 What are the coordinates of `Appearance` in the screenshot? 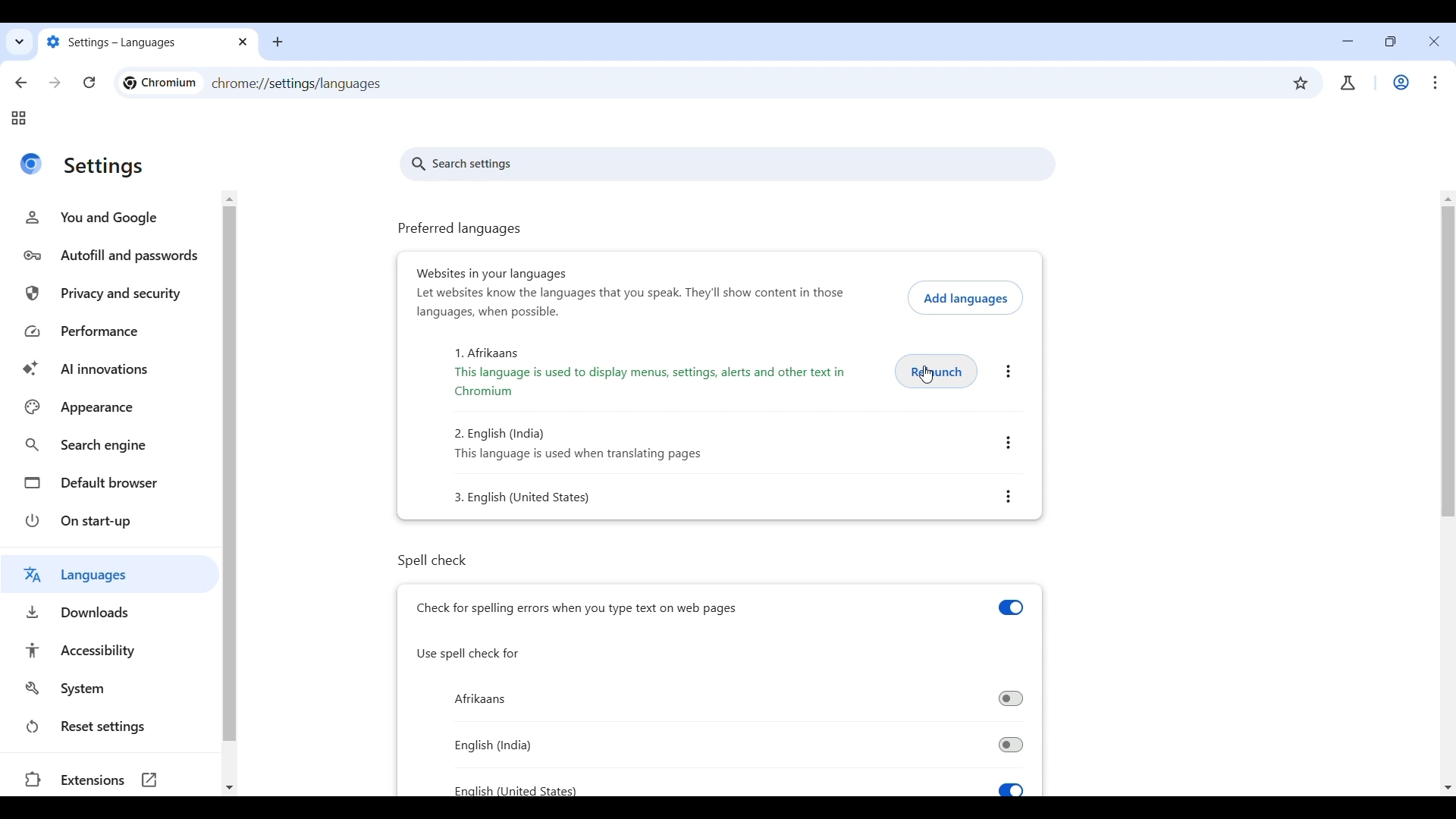 It's located at (111, 406).